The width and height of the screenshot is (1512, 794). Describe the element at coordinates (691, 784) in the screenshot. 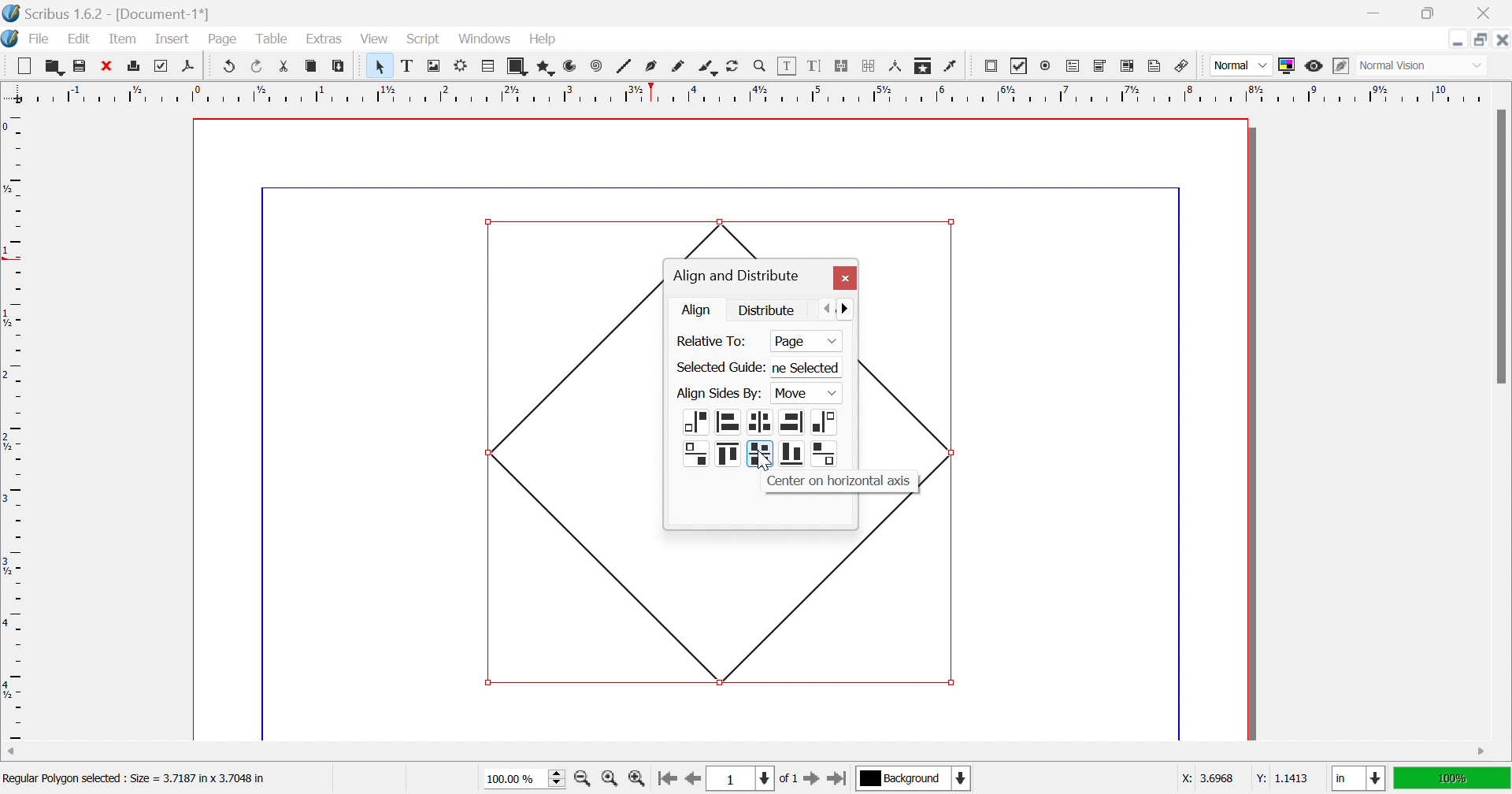

I see `Go to the previous page` at that location.